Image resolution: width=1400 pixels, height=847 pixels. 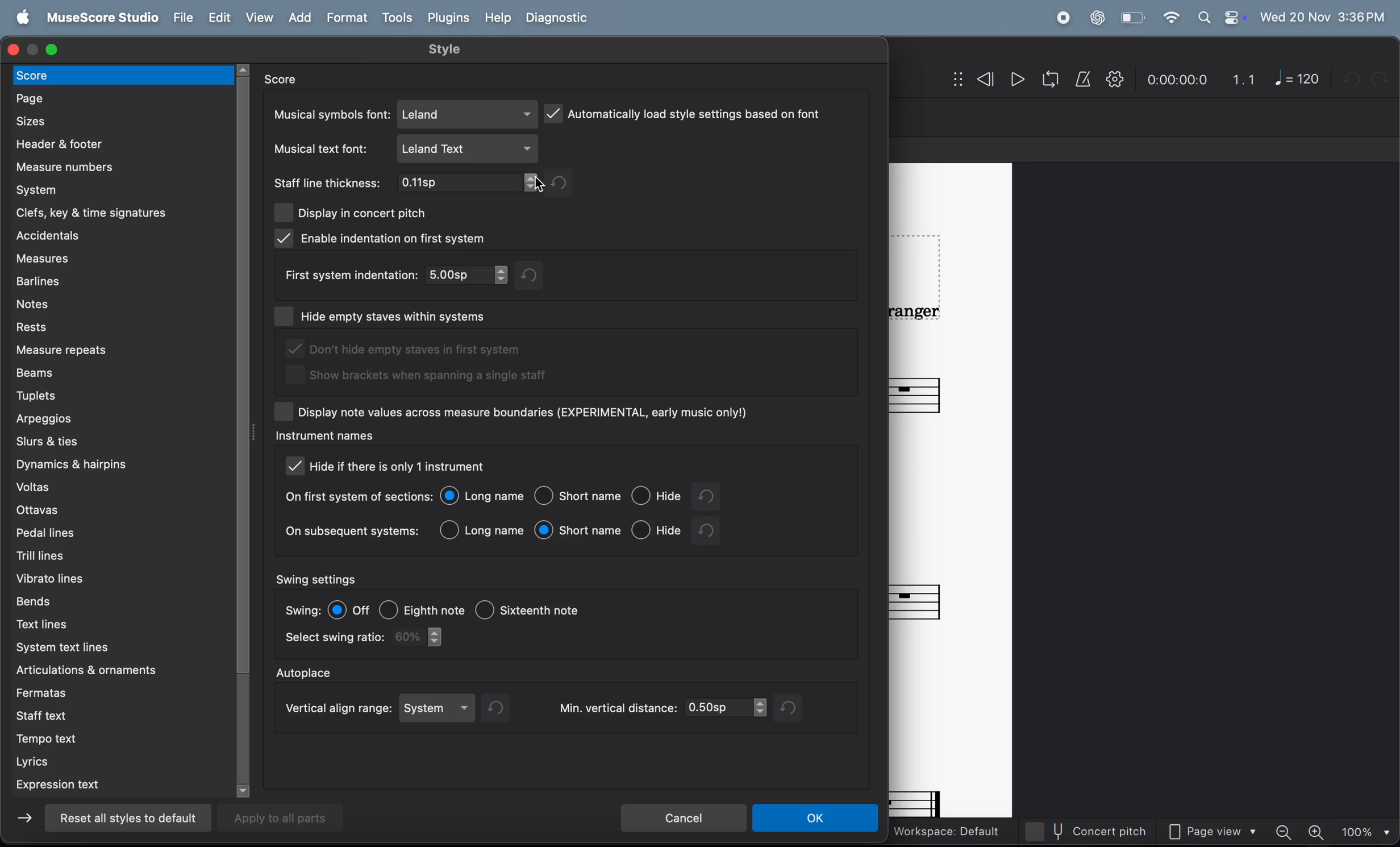 I want to click on use score studi0 menu, so click(x=99, y=18).